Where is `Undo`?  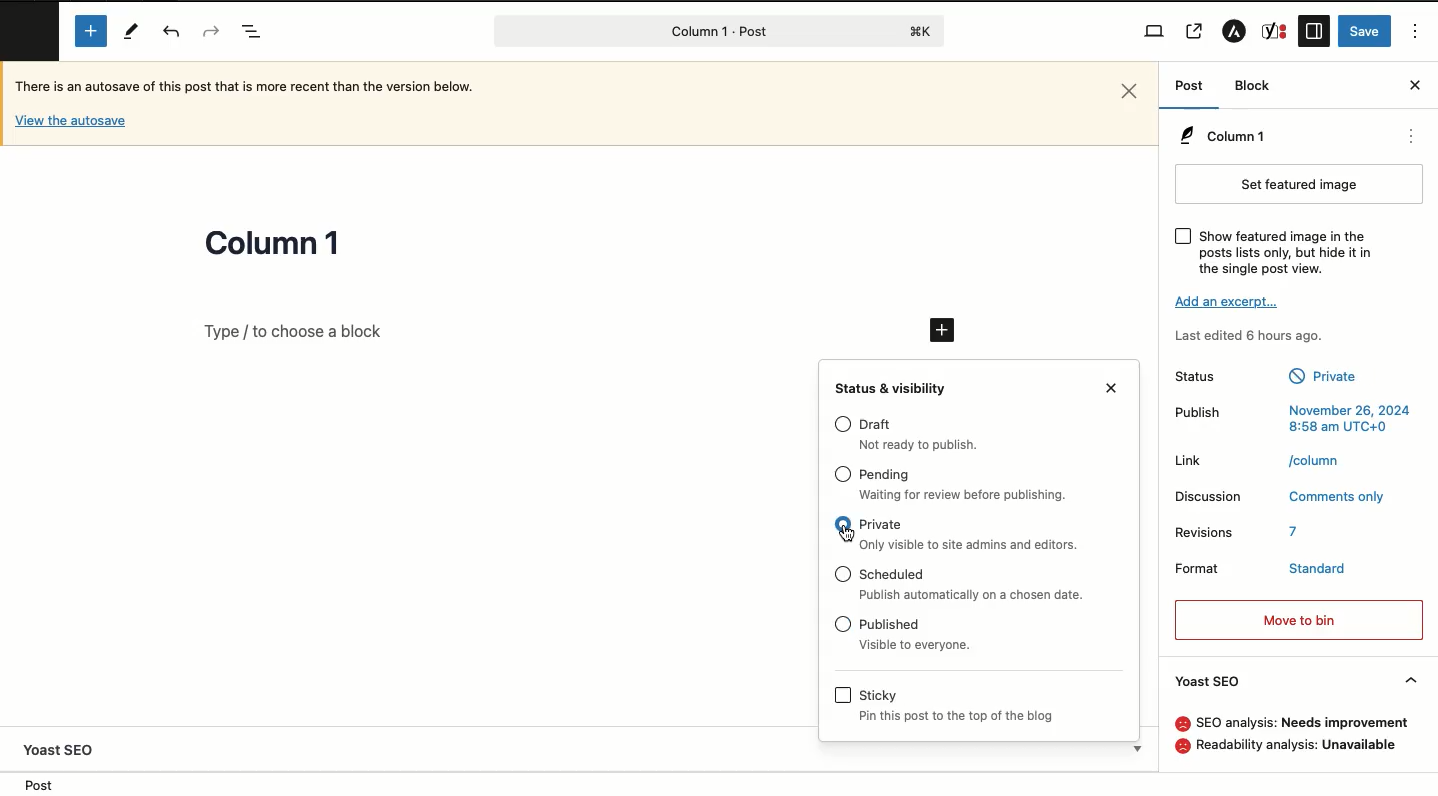 Undo is located at coordinates (172, 32).